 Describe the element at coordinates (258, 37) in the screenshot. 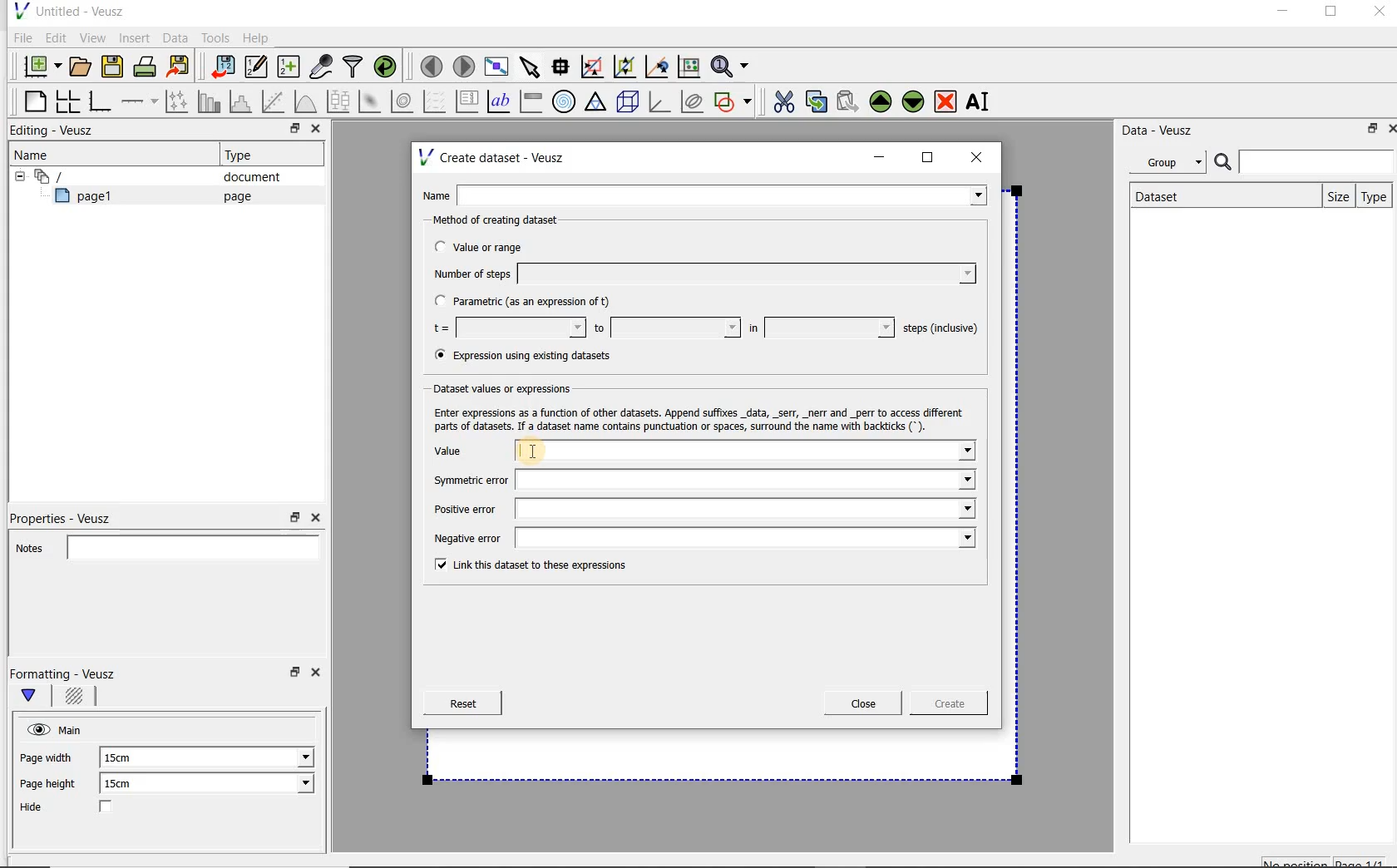

I see `Help` at that location.